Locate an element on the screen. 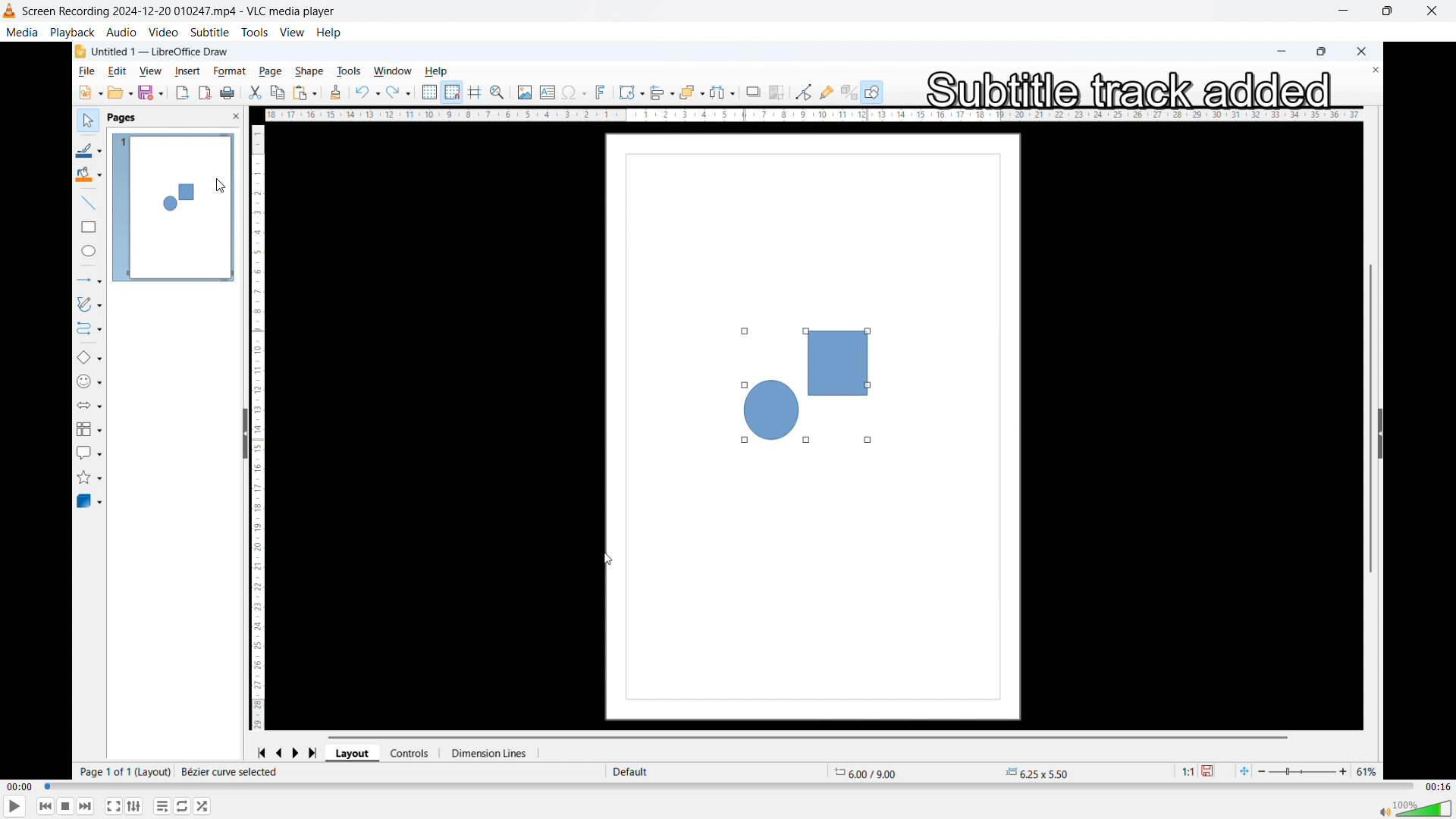  hide is located at coordinates (243, 435).